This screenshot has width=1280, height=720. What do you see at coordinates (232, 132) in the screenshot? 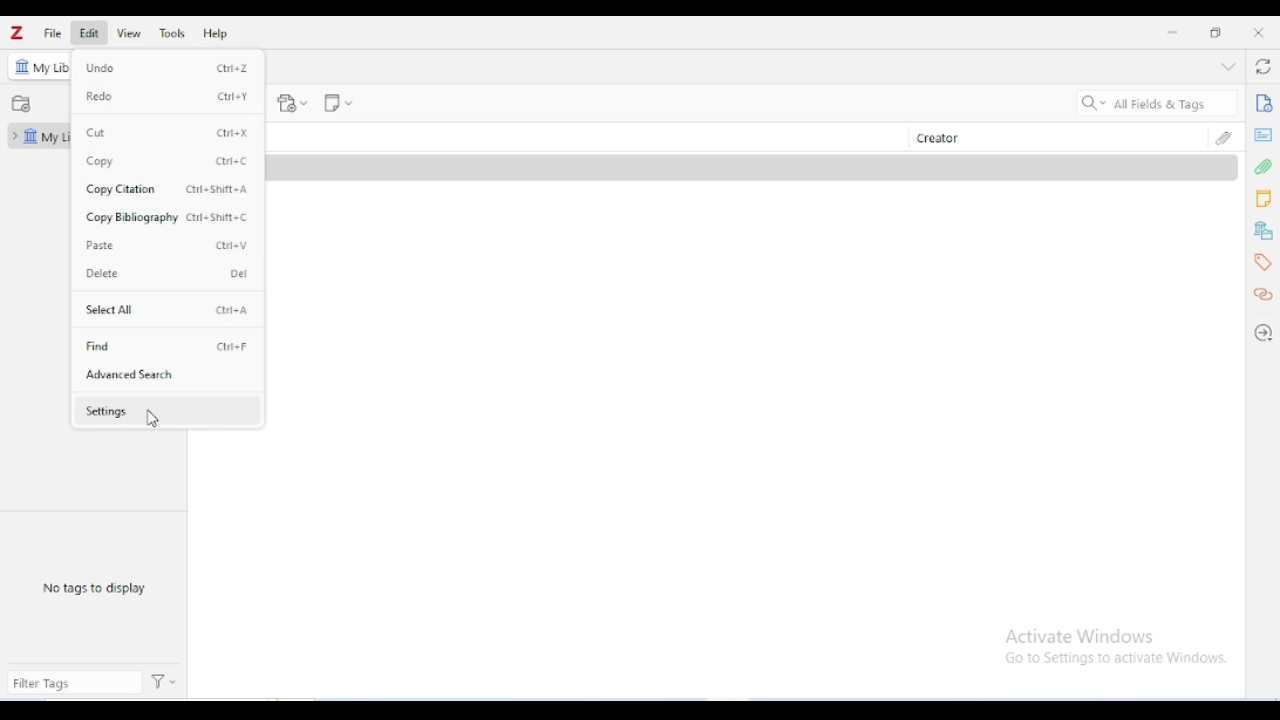
I see `ctrl+X` at bounding box center [232, 132].